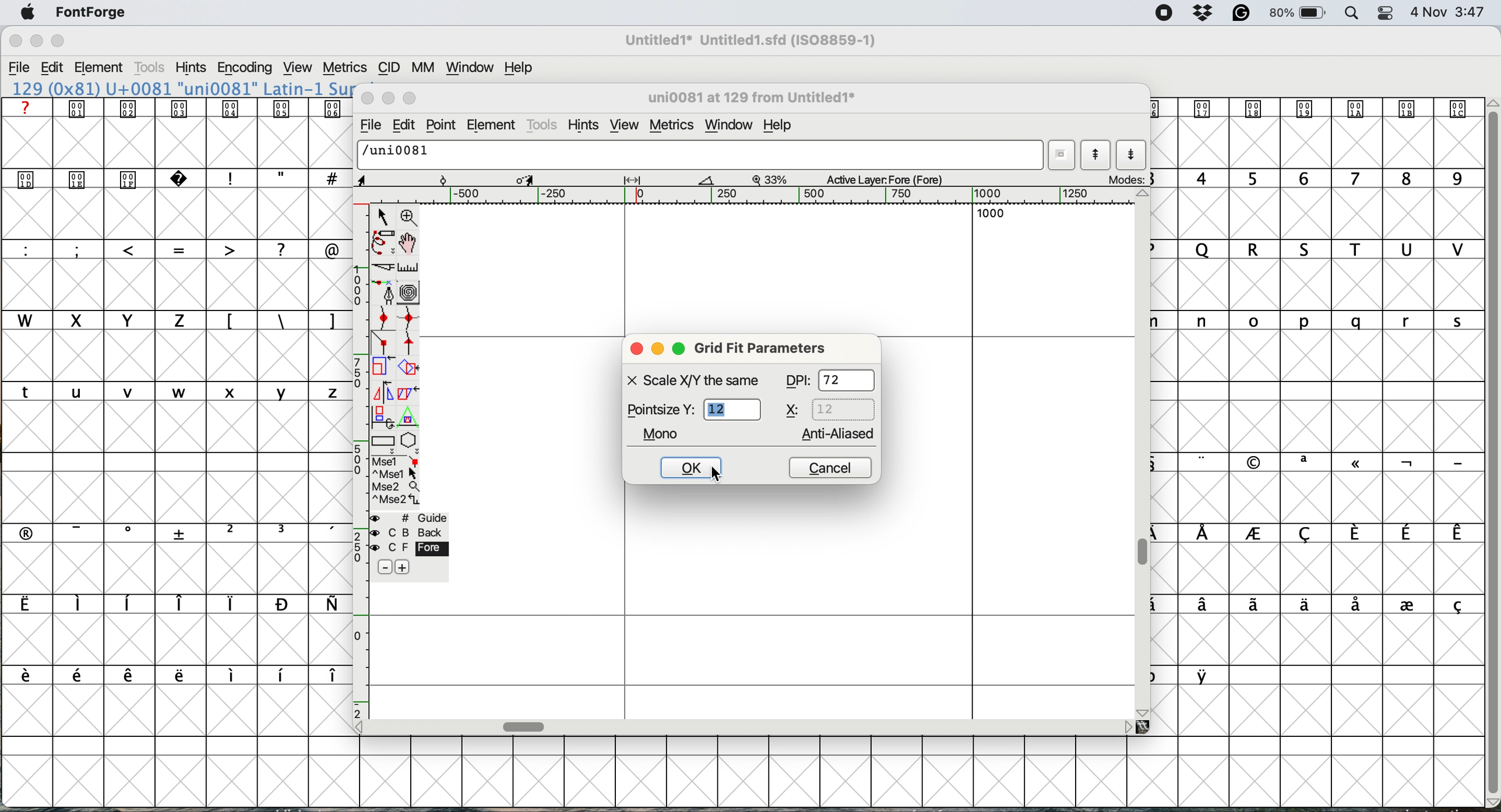  What do you see at coordinates (383, 391) in the screenshot?
I see `flip the selection` at bounding box center [383, 391].